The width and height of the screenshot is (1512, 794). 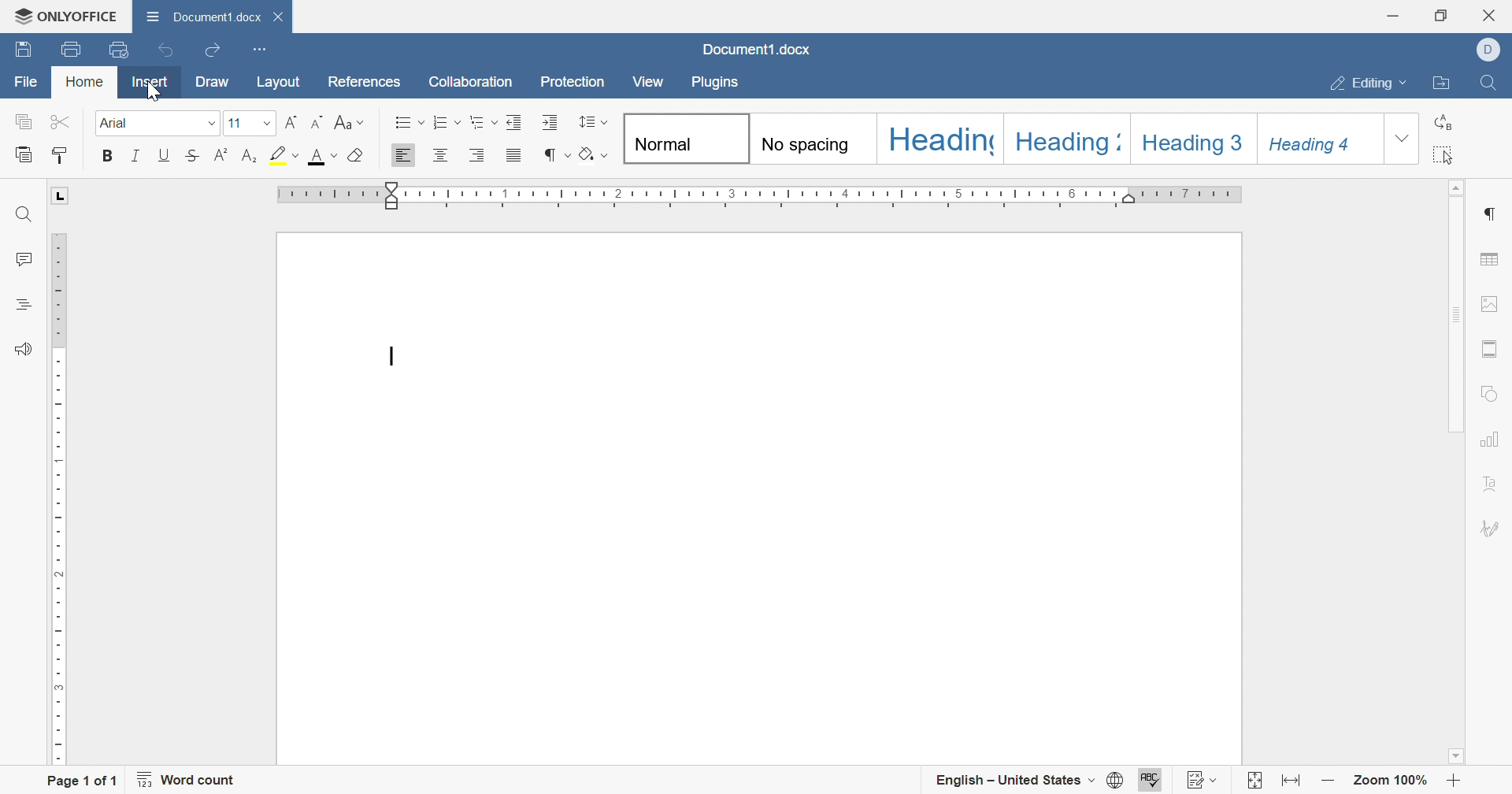 I want to click on Decrement font size, so click(x=318, y=122).